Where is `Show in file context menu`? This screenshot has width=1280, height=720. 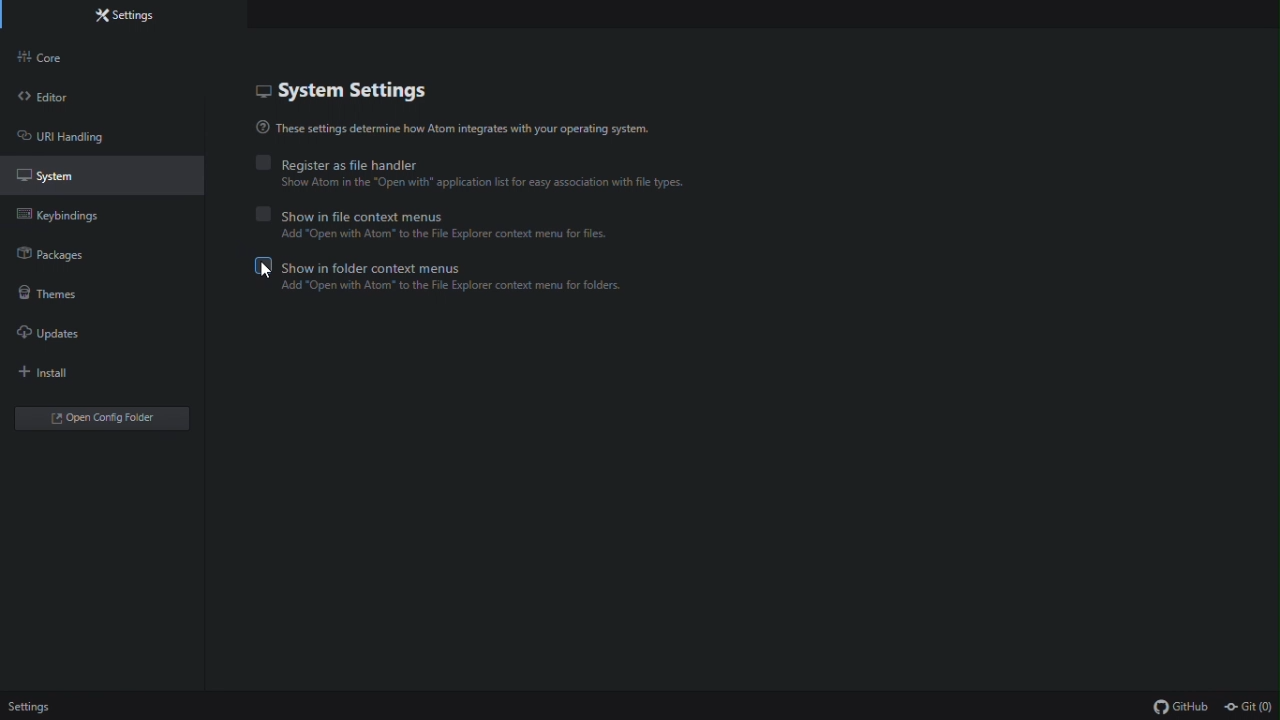
Show in file context menu is located at coordinates (443, 214).